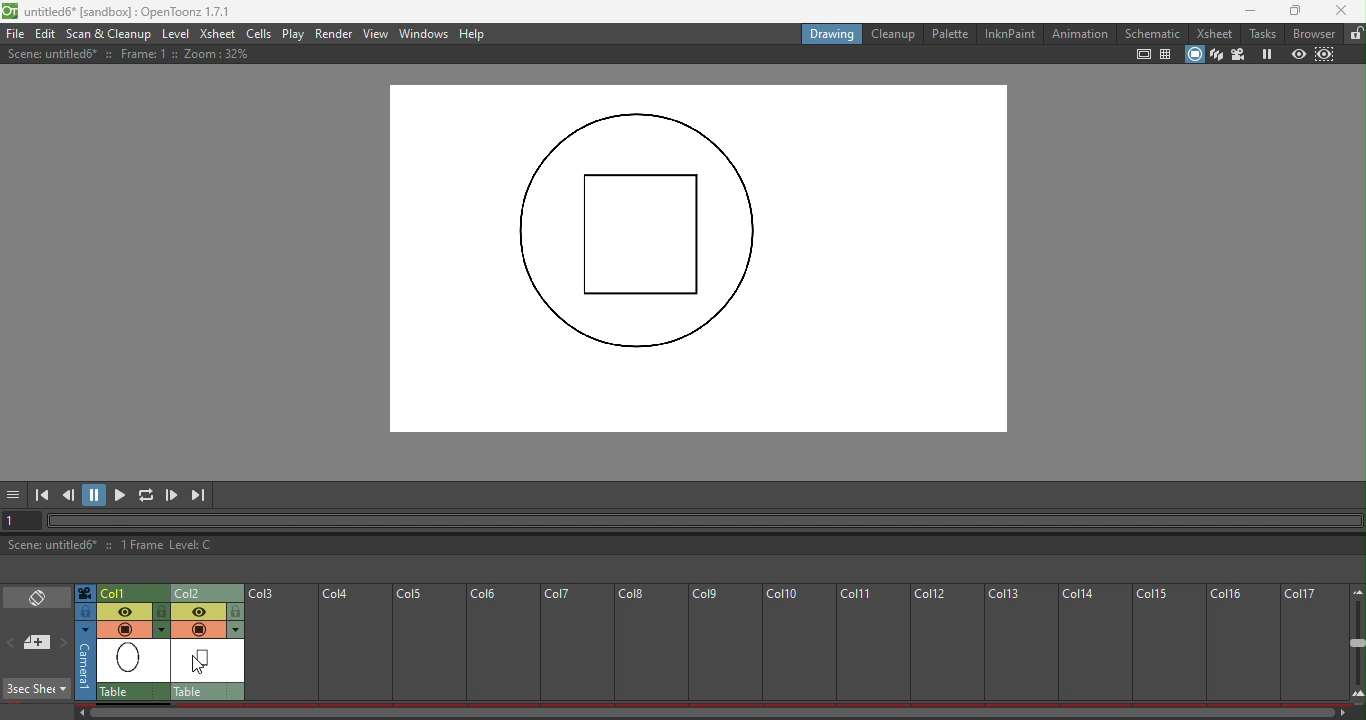  I want to click on Zoom out, so click(1356, 590).